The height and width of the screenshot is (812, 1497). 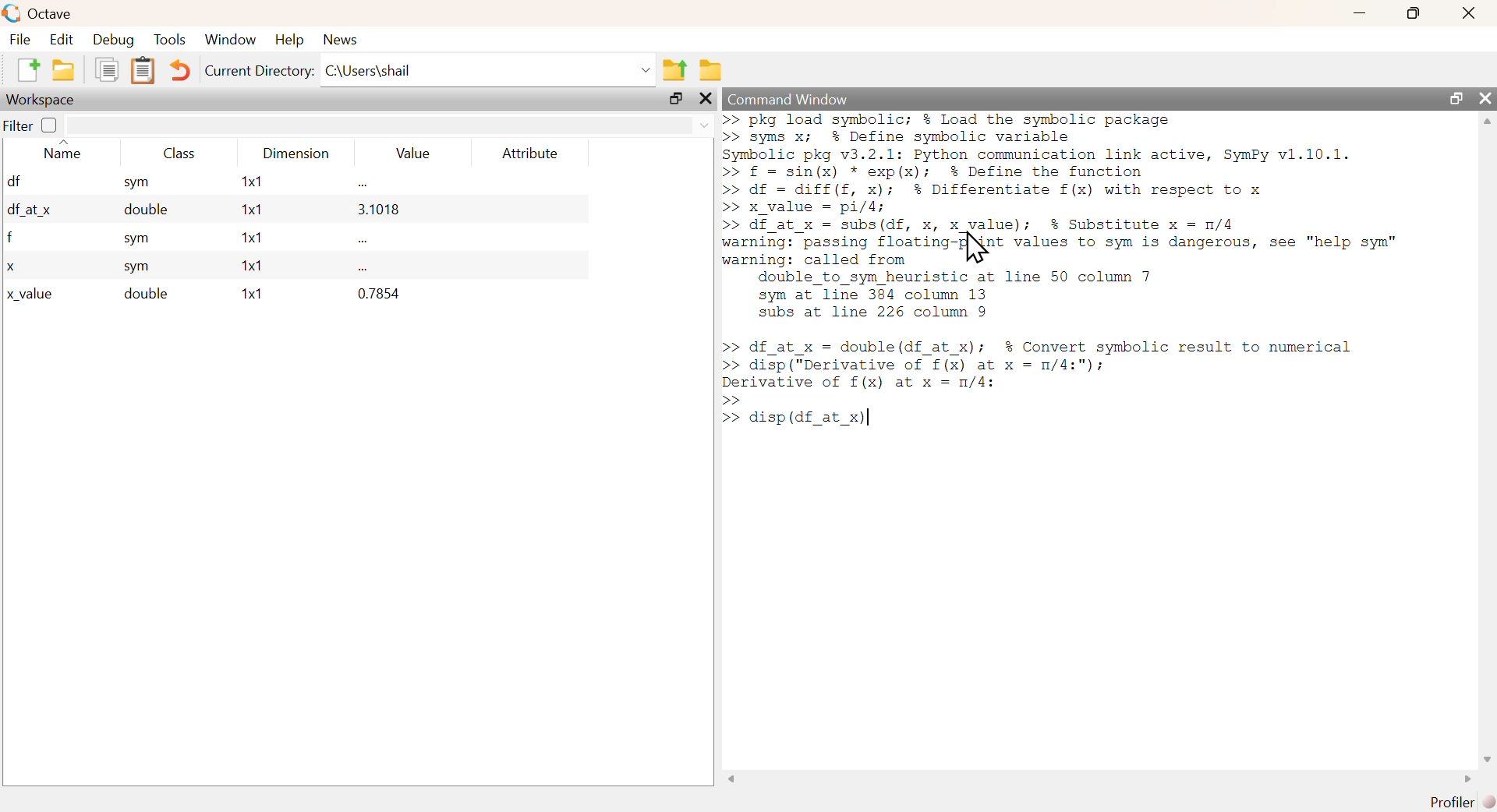 What do you see at coordinates (143, 294) in the screenshot?
I see `double` at bounding box center [143, 294].